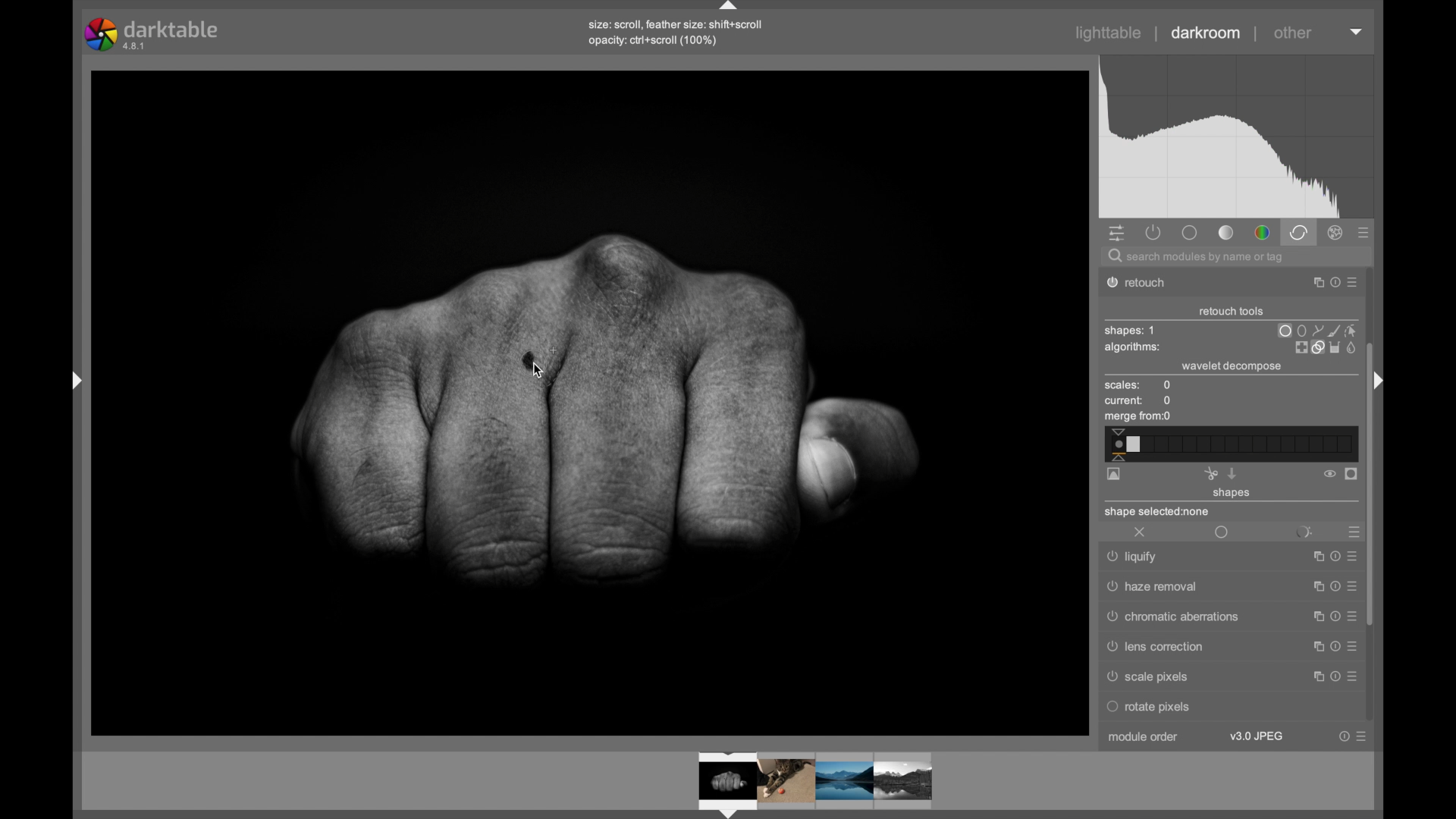  Describe the element at coordinates (1351, 676) in the screenshot. I see `more options` at that location.